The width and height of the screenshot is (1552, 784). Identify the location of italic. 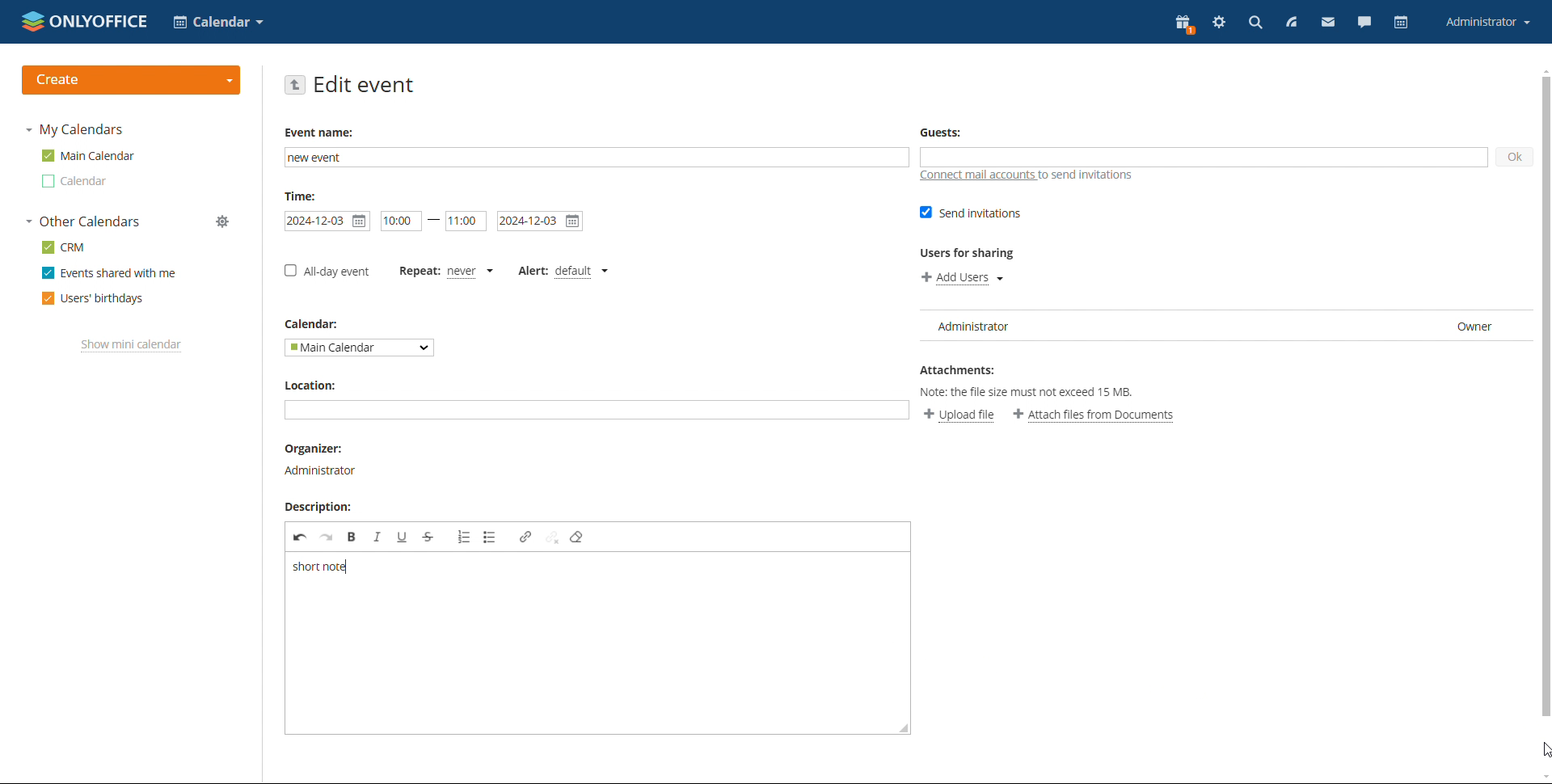
(377, 537).